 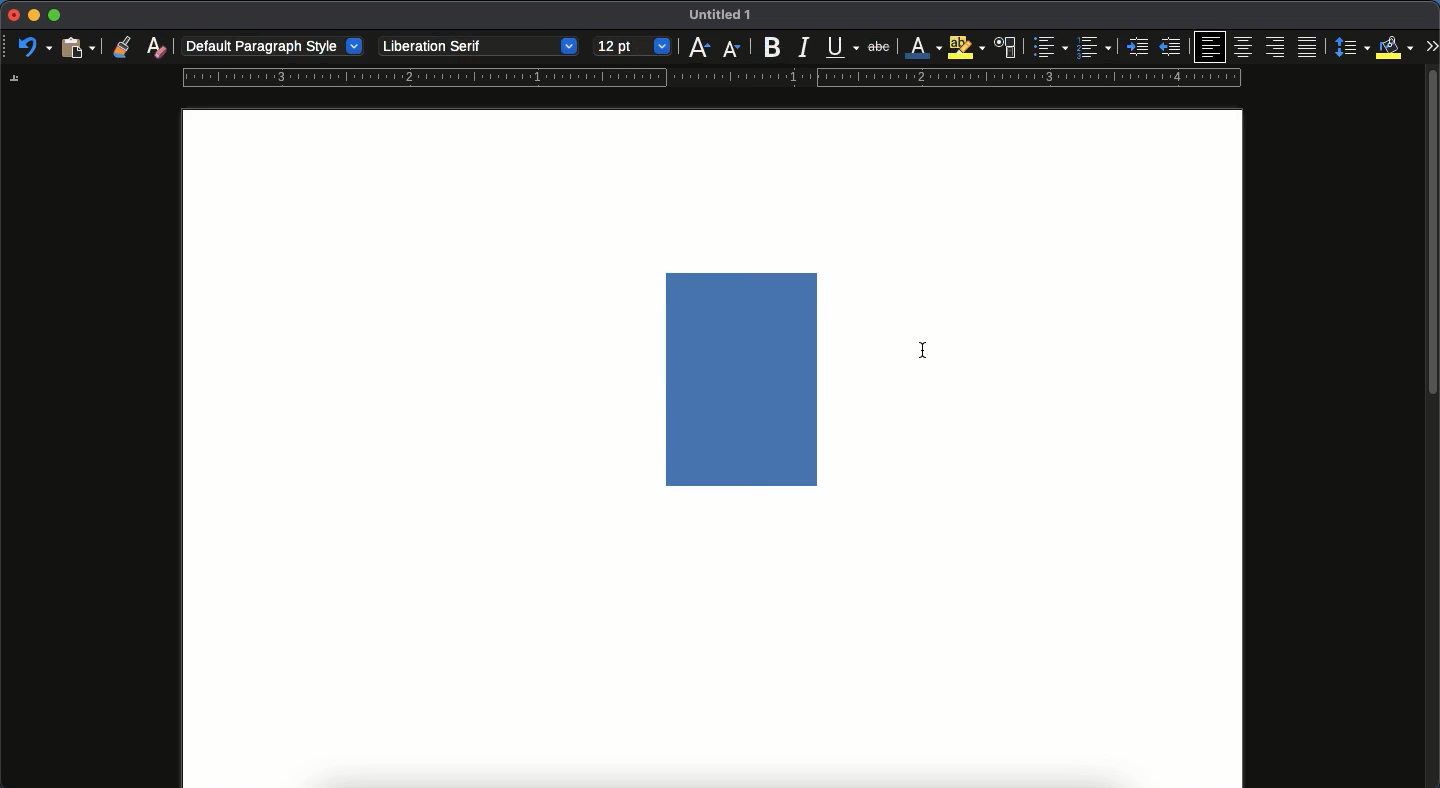 I want to click on justify, so click(x=1309, y=47).